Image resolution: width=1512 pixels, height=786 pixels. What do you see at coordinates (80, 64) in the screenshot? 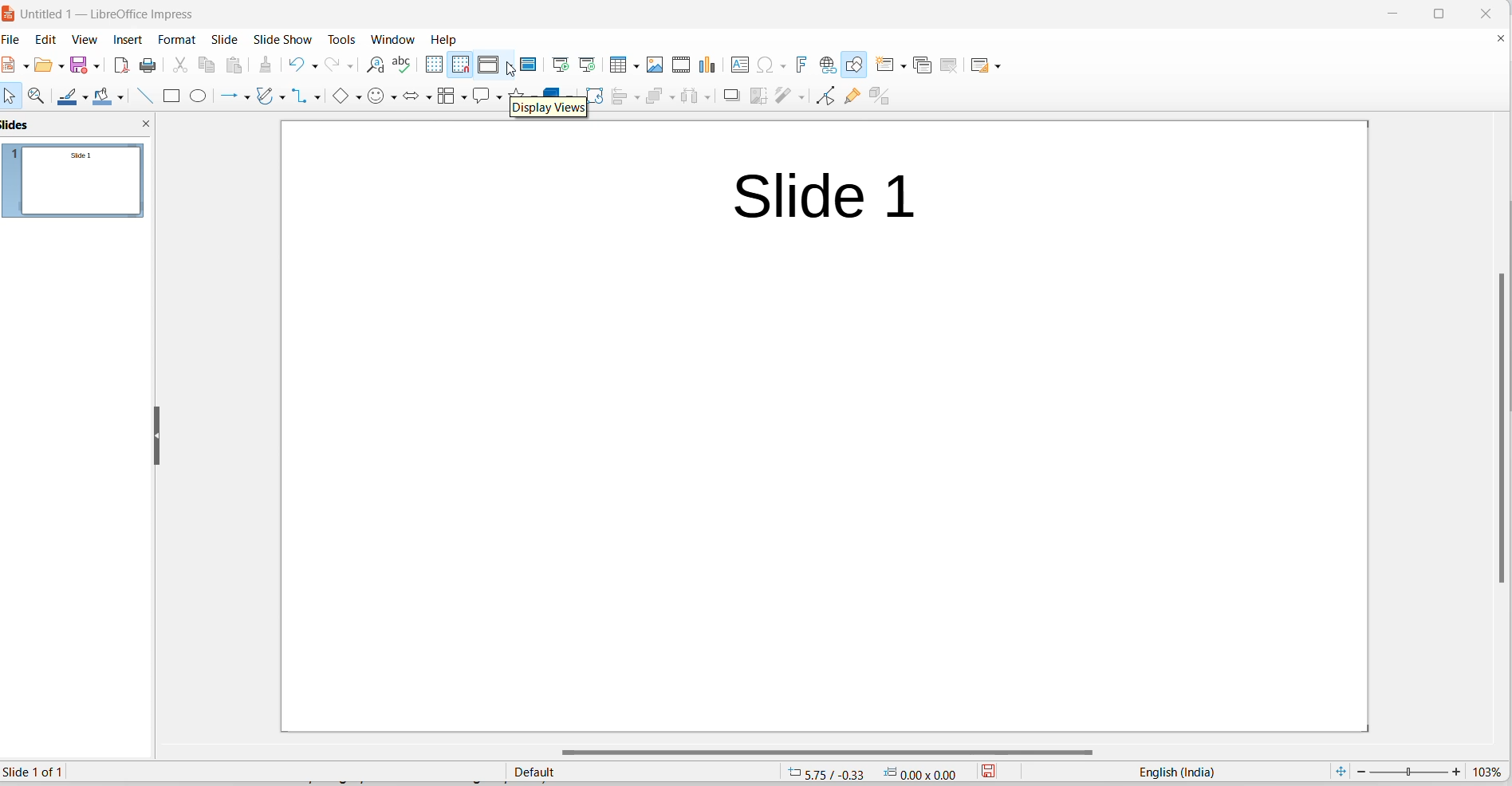
I see `save` at bounding box center [80, 64].